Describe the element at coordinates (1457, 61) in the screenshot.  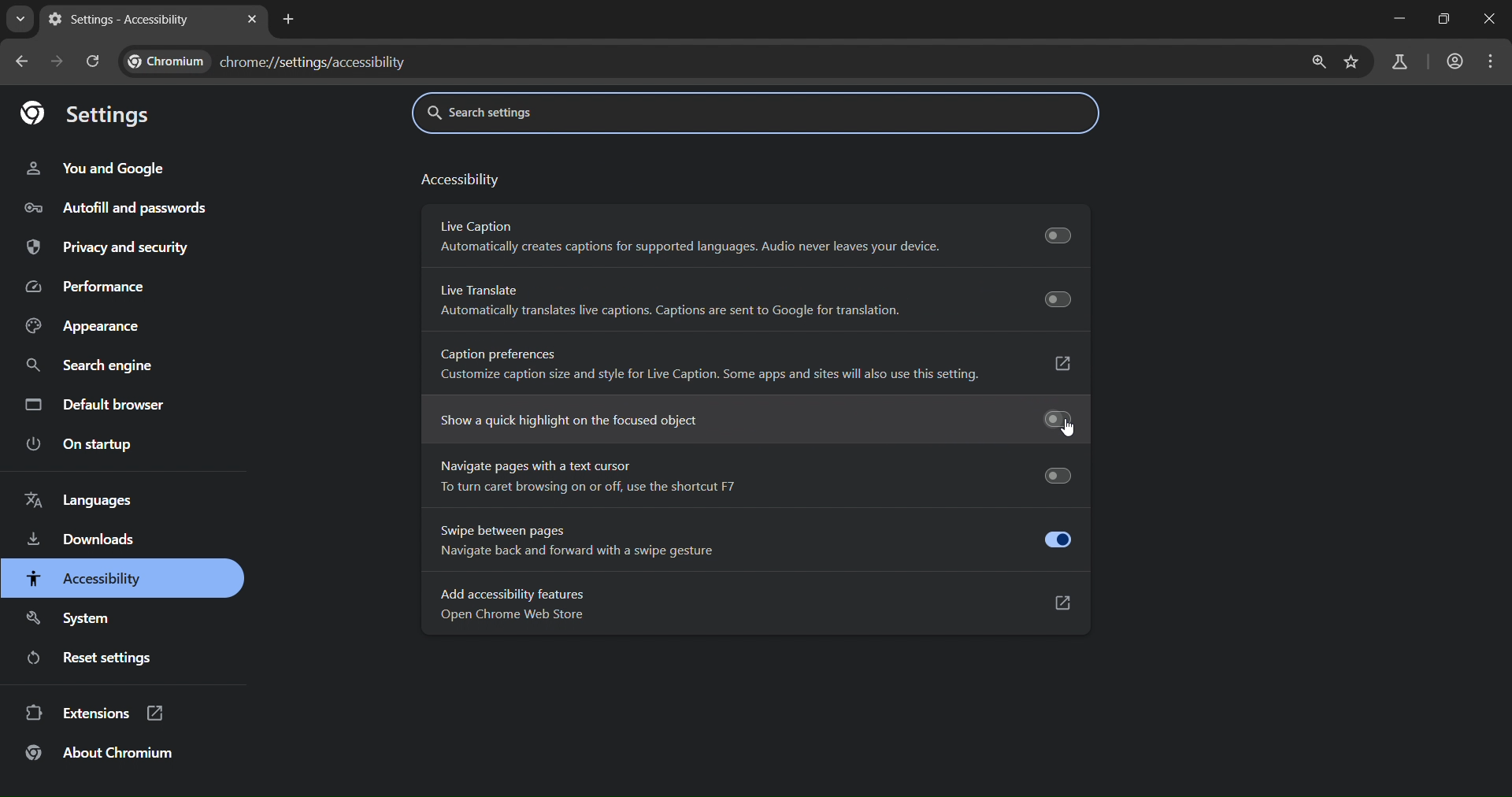
I see `accounts` at that location.